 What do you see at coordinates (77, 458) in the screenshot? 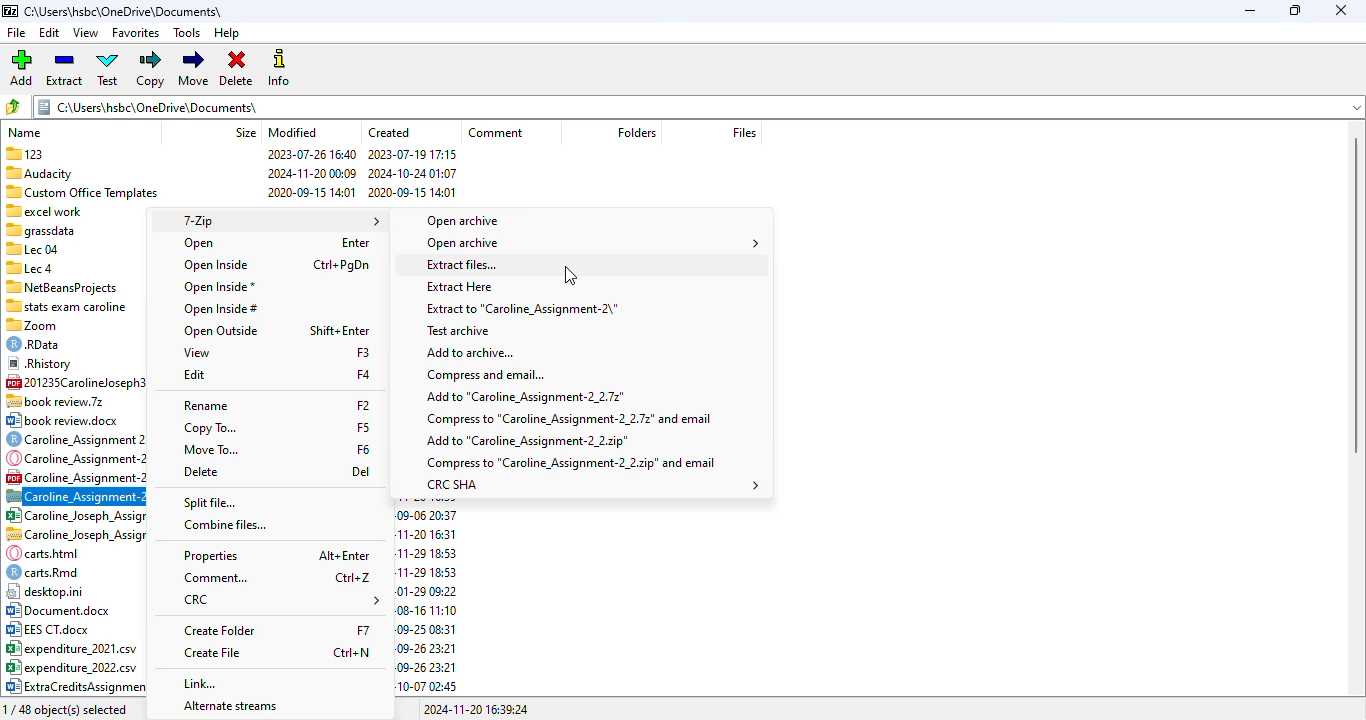
I see ` Caroline_Assignment-2.... 808485 2023-10-06 15:37 2023-10-06 15:35` at bounding box center [77, 458].